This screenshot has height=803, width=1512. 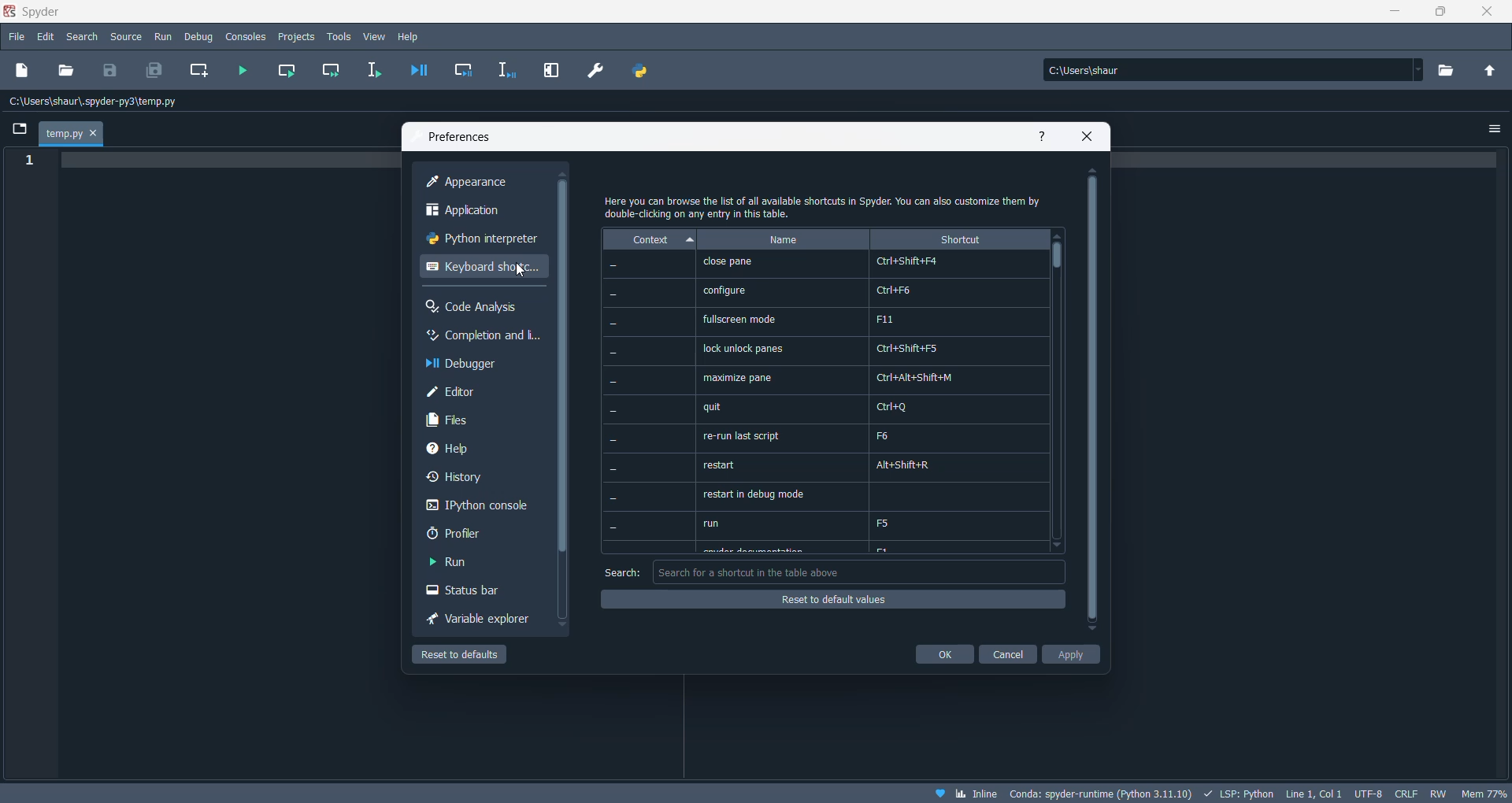 What do you see at coordinates (113, 70) in the screenshot?
I see `save files` at bounding box center [113, 70].